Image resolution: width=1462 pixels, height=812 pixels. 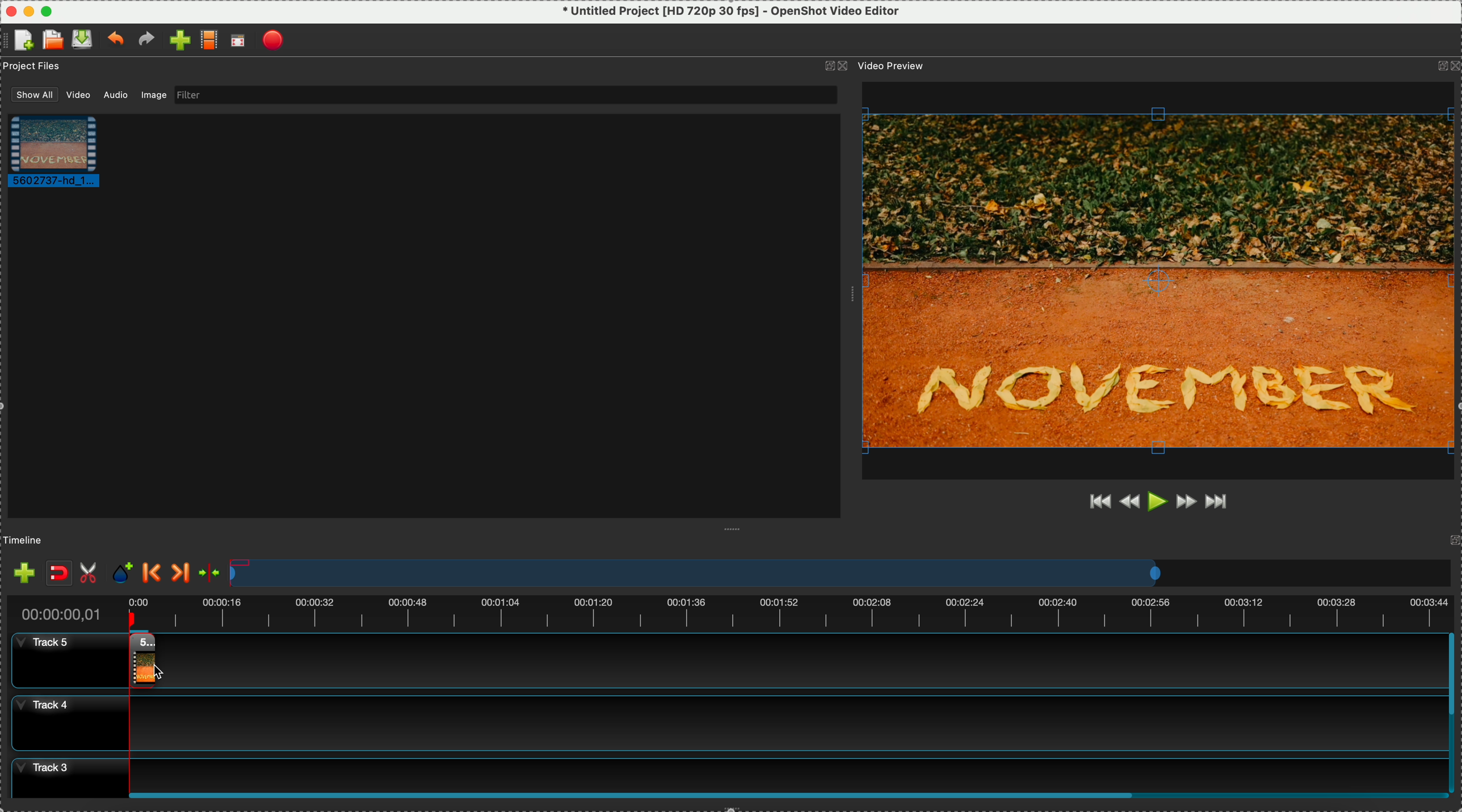 What do you see at coordinates (83, 39) in the screenshot?
I see `save file` at bounding box center [83, 39].